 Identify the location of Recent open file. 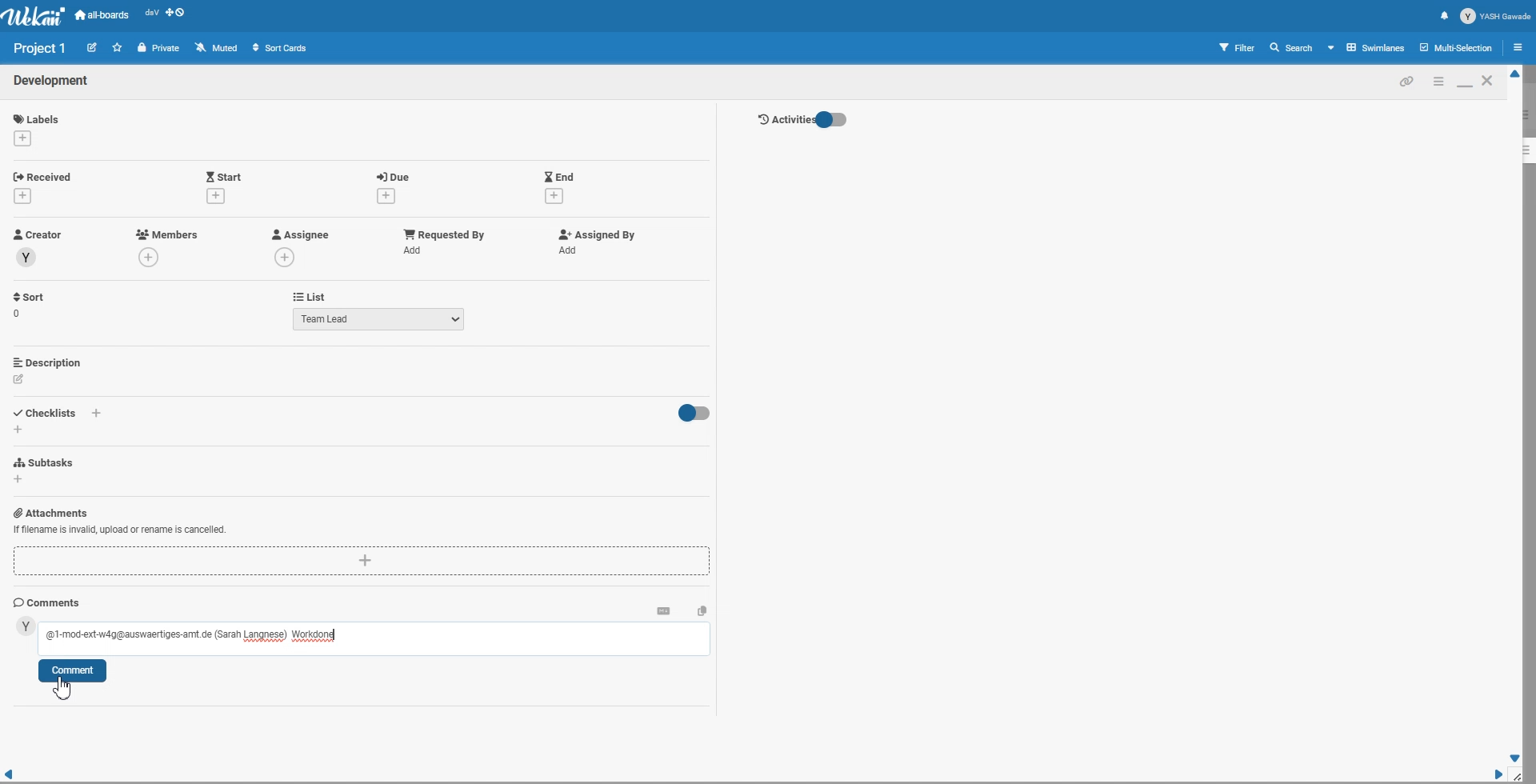
(151, 15).